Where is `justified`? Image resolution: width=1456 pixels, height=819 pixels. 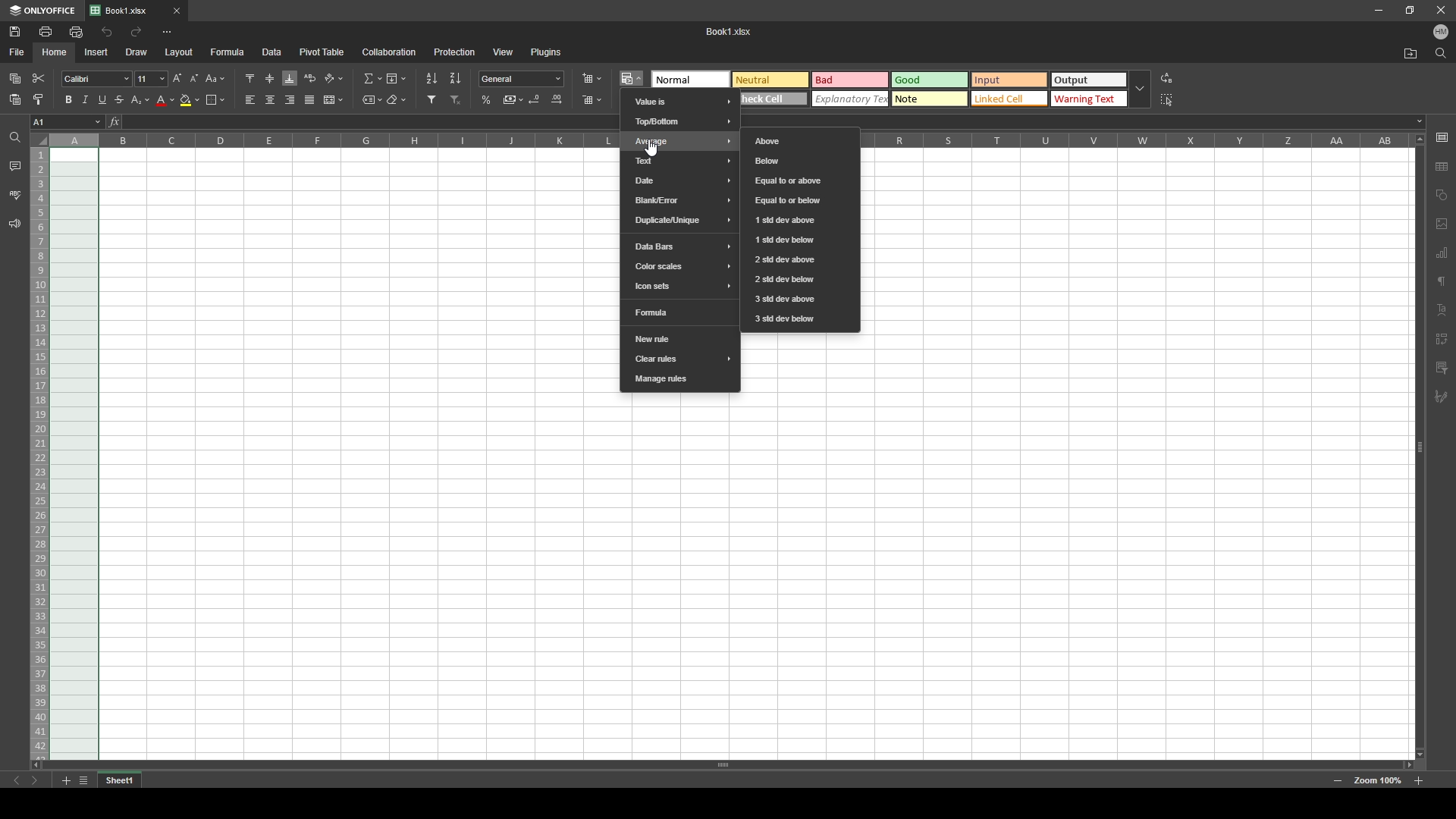
justified is located at coordinates (310, 100).